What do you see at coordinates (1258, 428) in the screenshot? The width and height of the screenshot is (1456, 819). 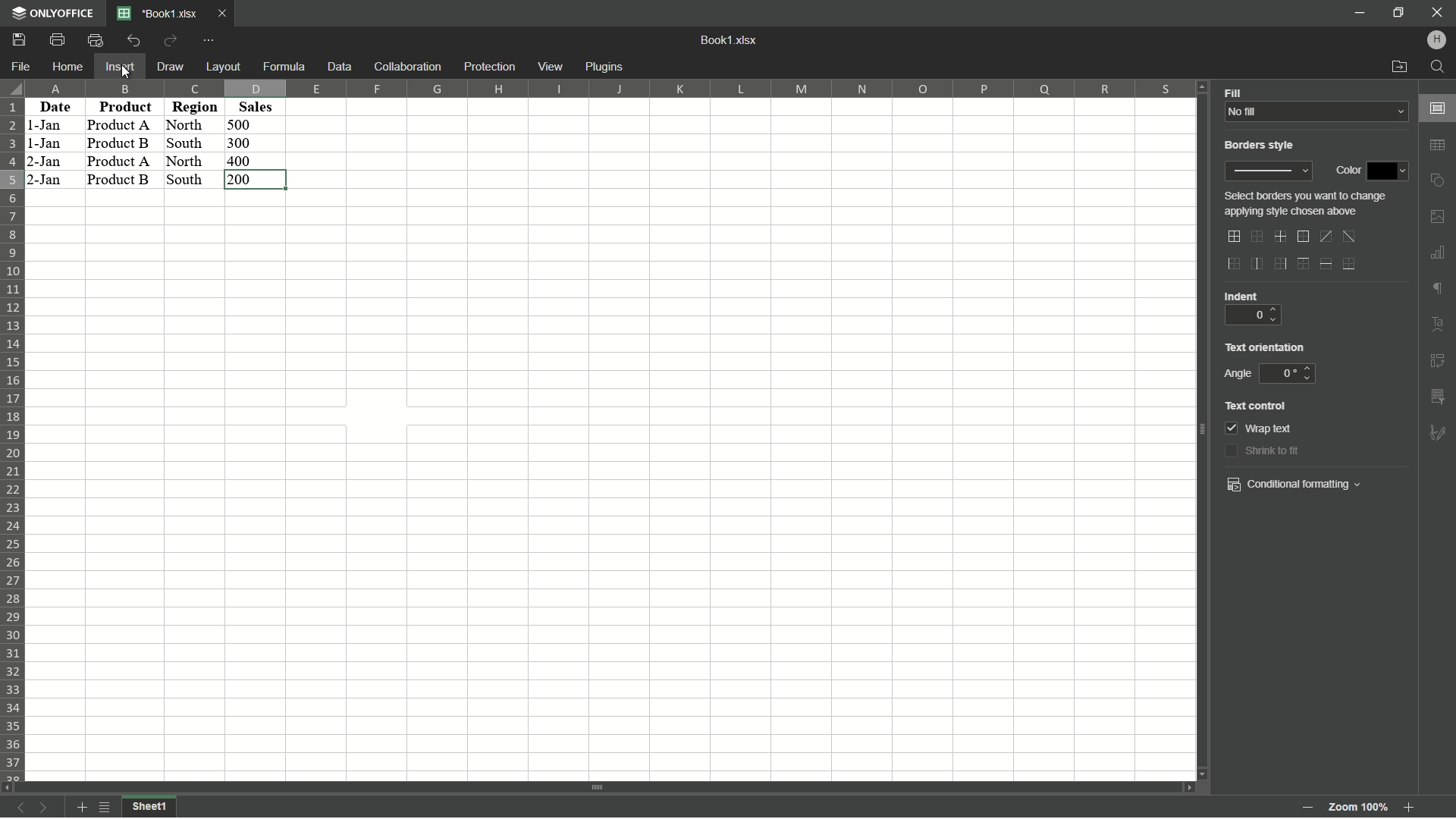 I see `wrap text` at bounding box center [1258, 428].